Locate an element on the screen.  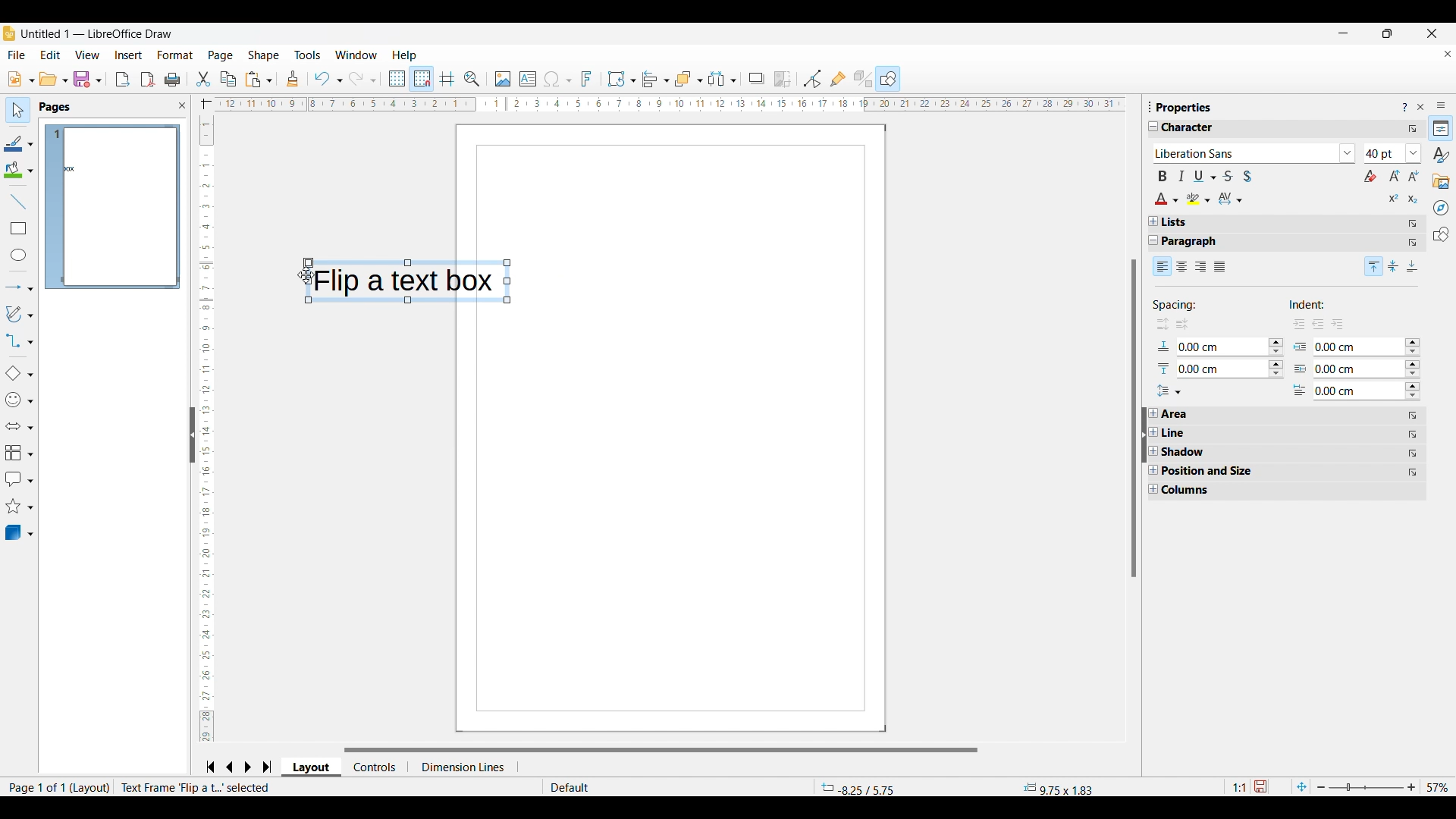
Zoom and pan is located at coordinates (472, 80).